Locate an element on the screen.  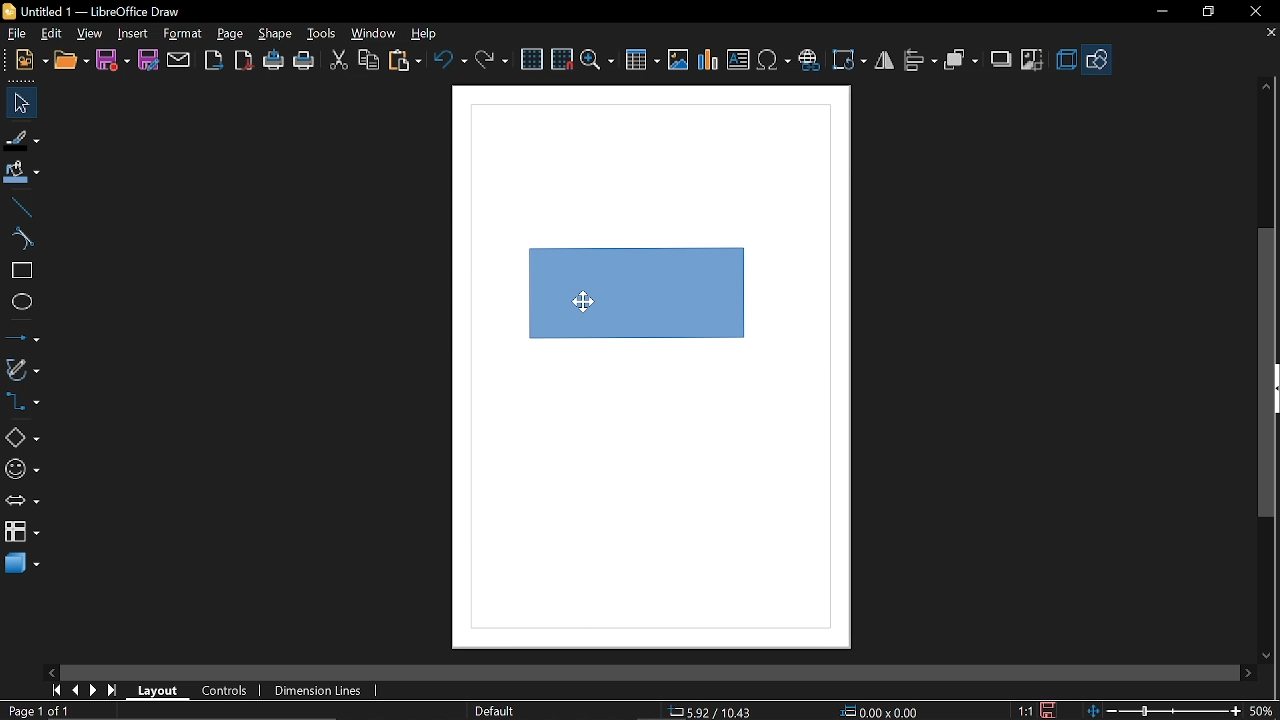
Current diagram is located at coordinates (666, 315).